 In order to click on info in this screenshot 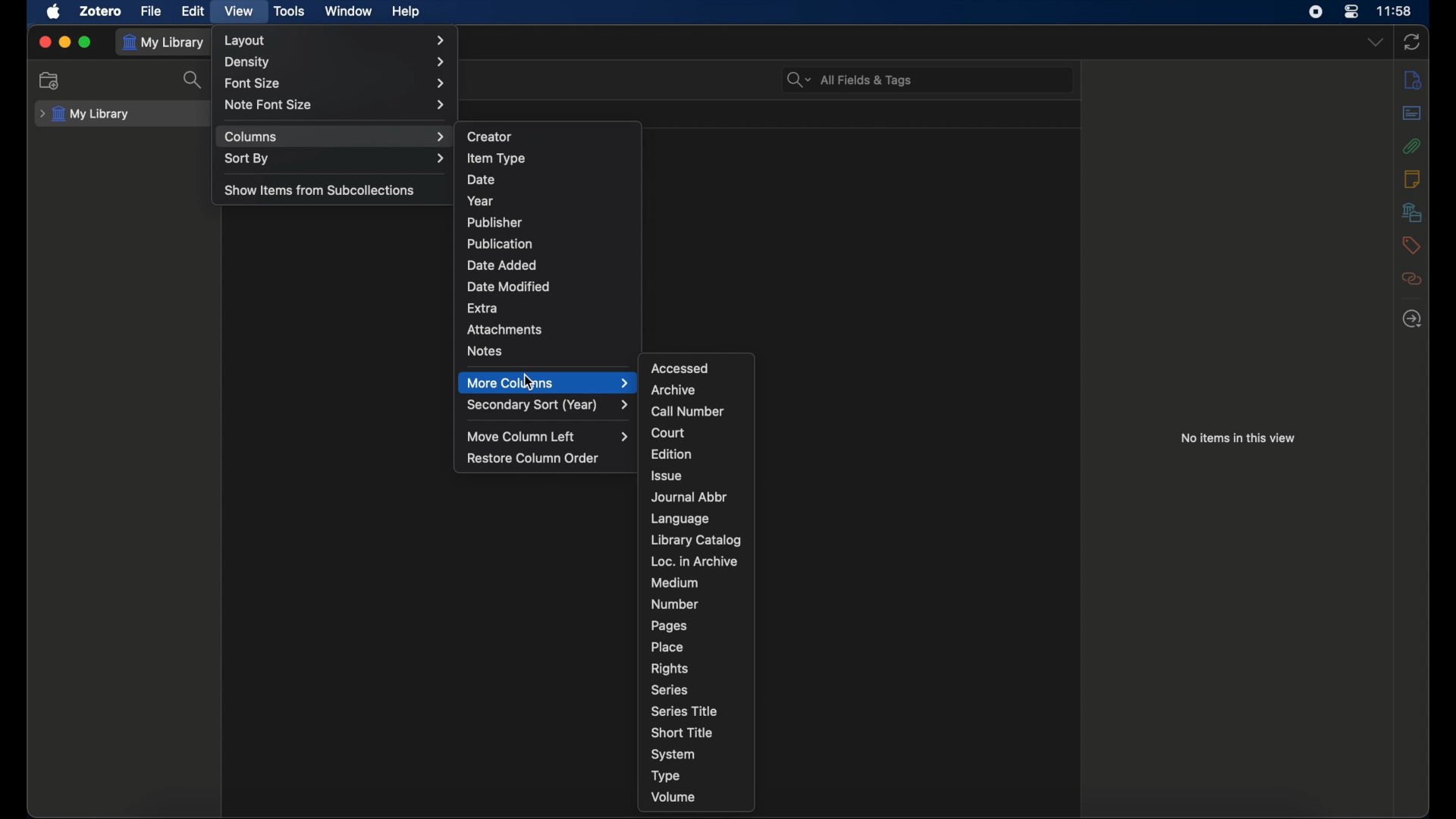, I will do `click(1412, 80)`.